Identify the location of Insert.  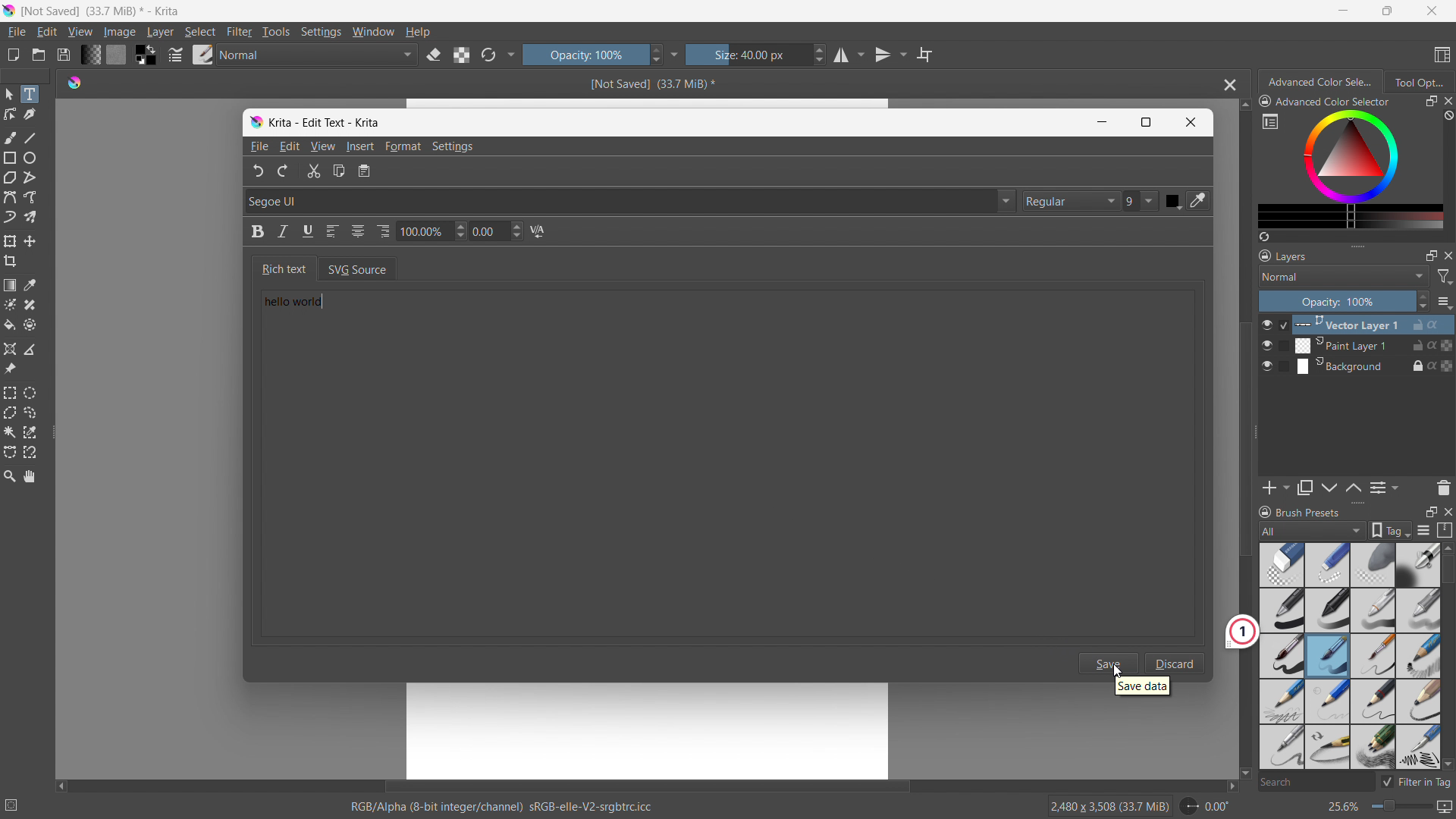
(360, 147).